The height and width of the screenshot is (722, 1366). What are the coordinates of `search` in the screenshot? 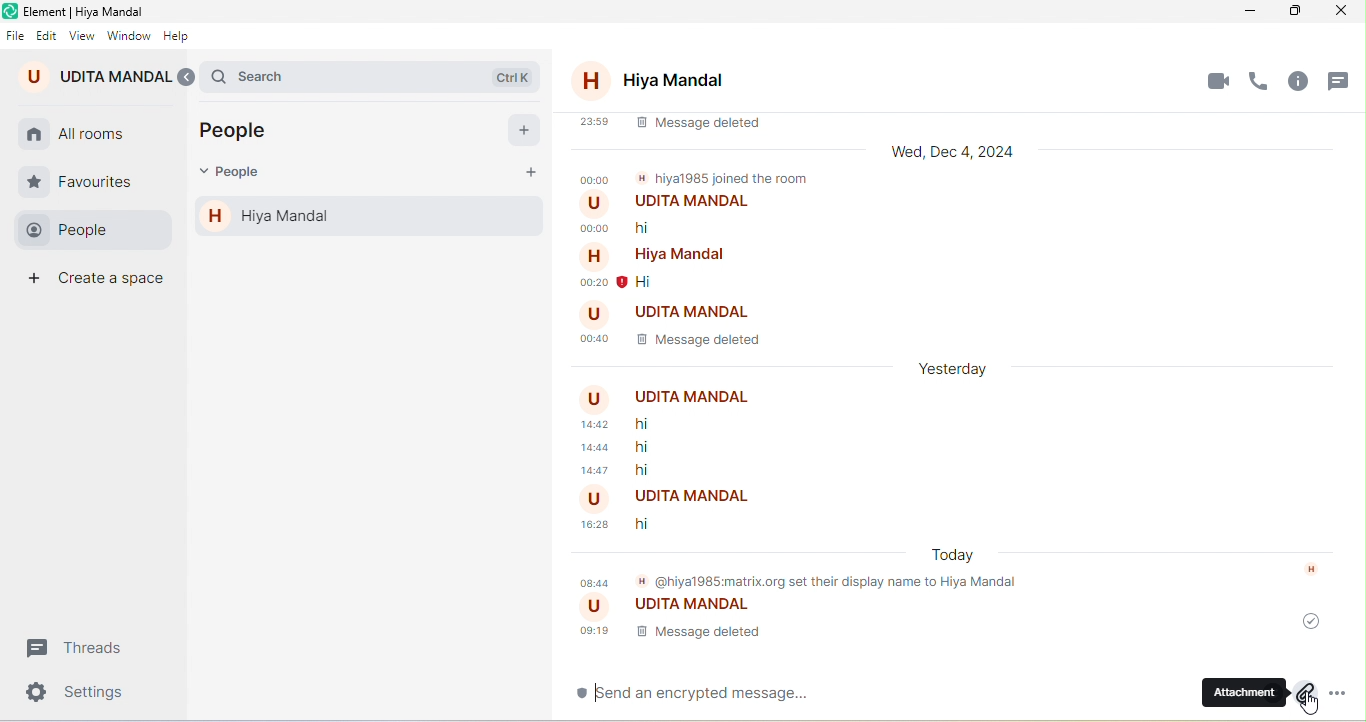 It's located at (380, 73).